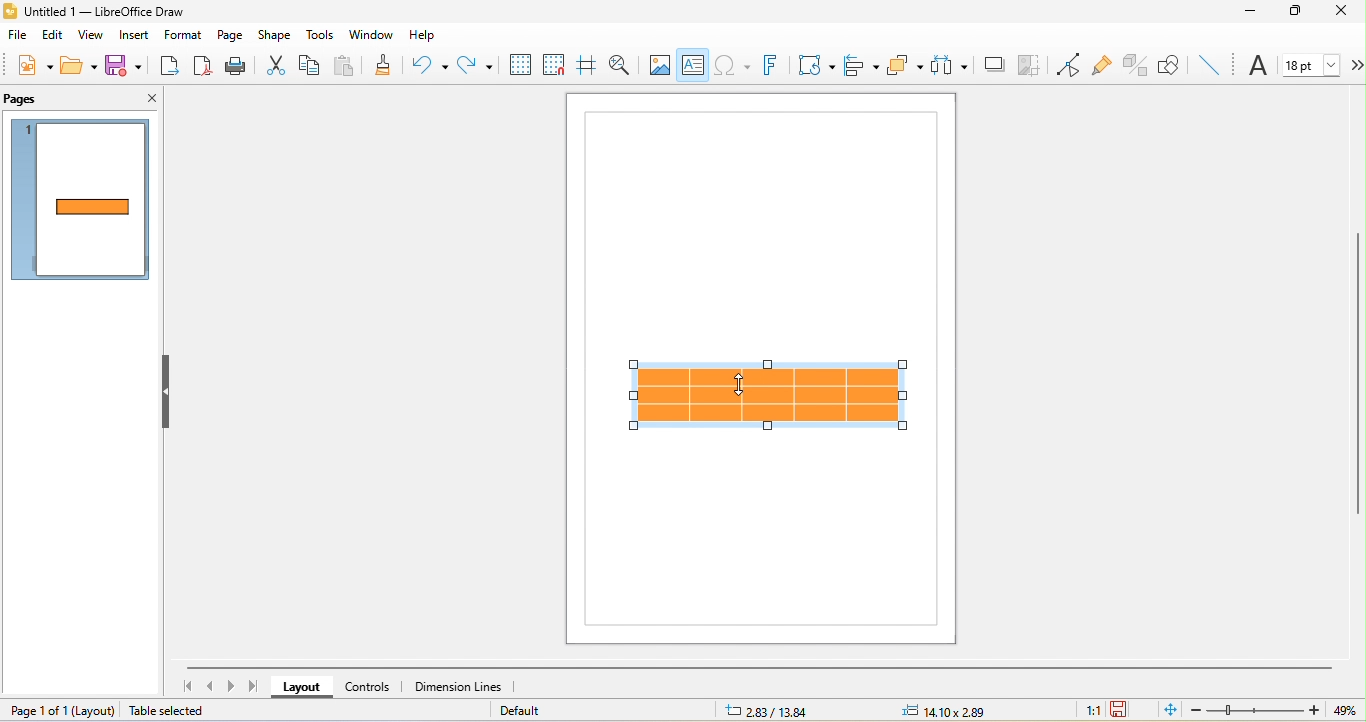 Image resolution: width=1366 pixels, height=722 pixels. I want to click on clone formatting, so click(388, 67).